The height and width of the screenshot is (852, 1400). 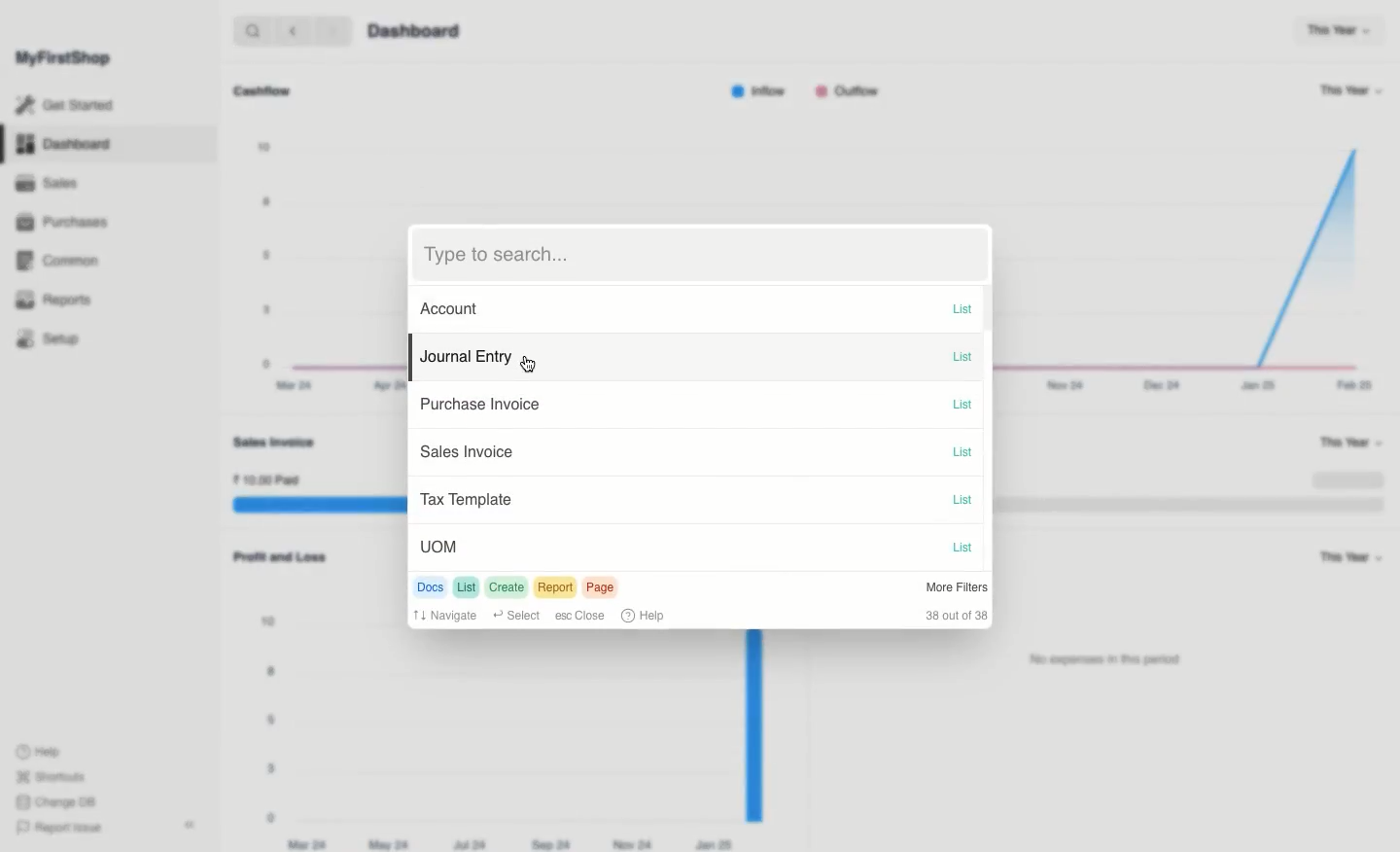 I want to click on Jan 25, so click(x=1257, y=386).